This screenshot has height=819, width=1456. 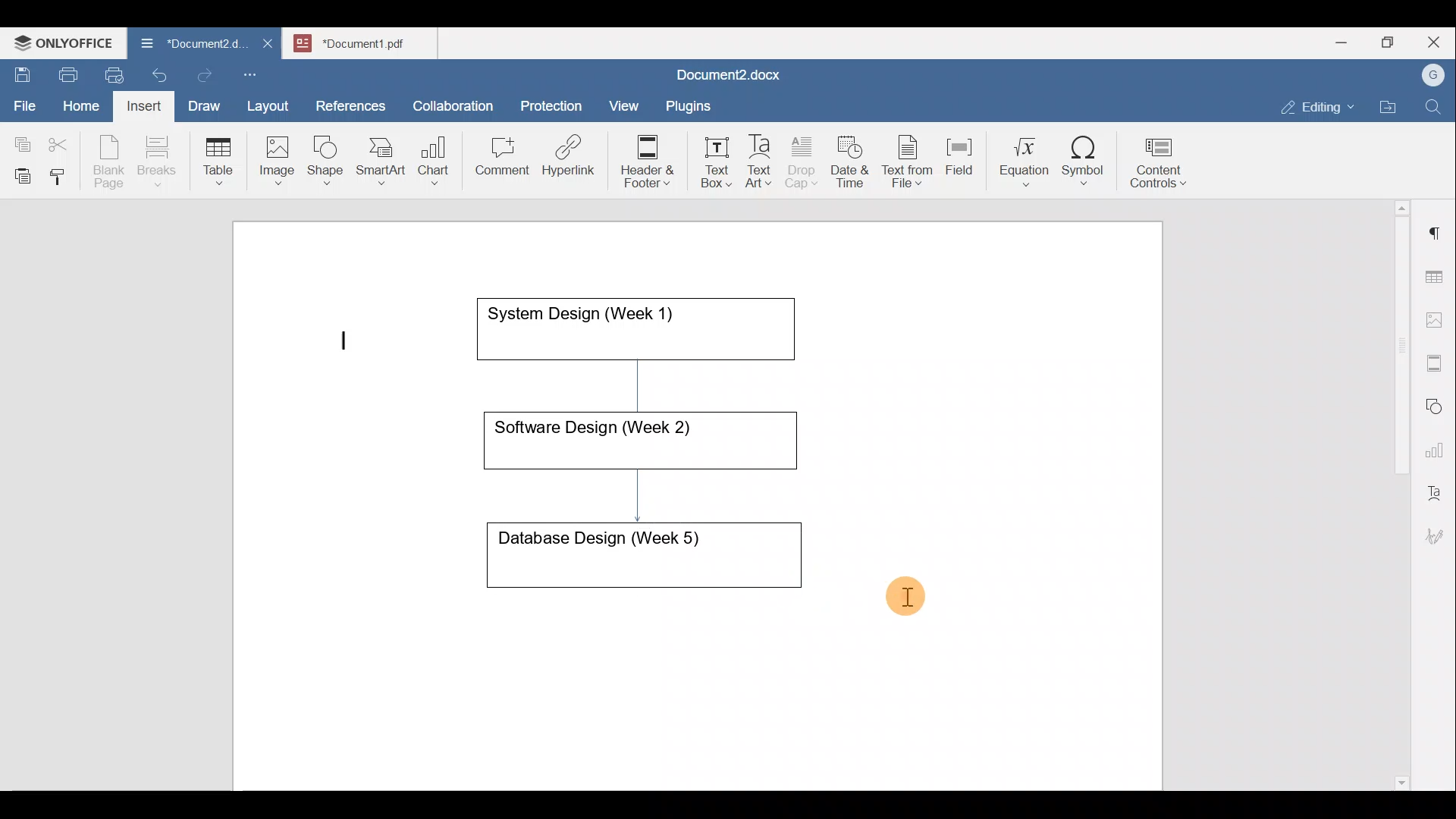 I want to click on File, so click(x=26, y=101).